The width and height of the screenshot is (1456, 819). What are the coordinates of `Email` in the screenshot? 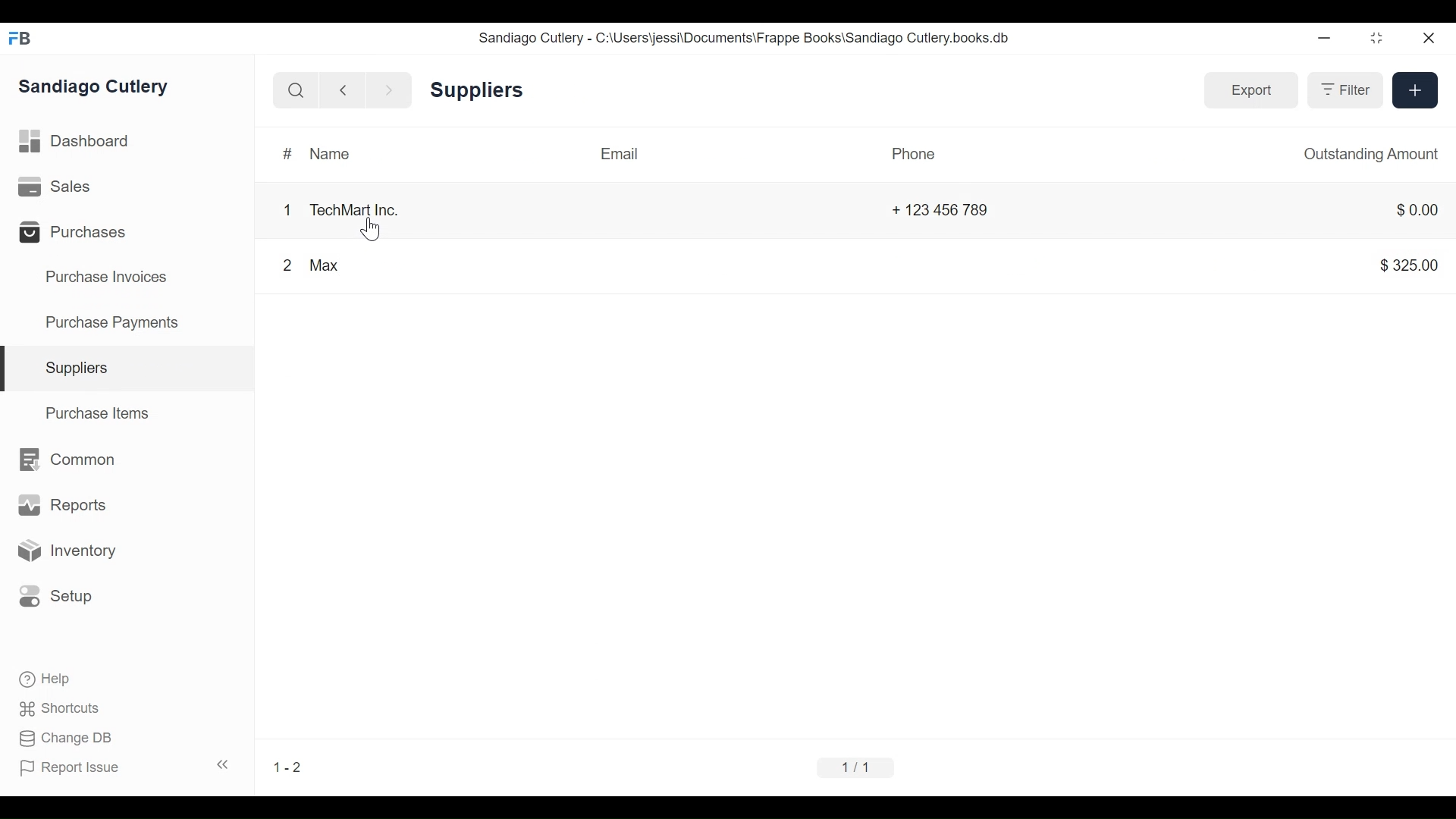 It's located at (617, 156).